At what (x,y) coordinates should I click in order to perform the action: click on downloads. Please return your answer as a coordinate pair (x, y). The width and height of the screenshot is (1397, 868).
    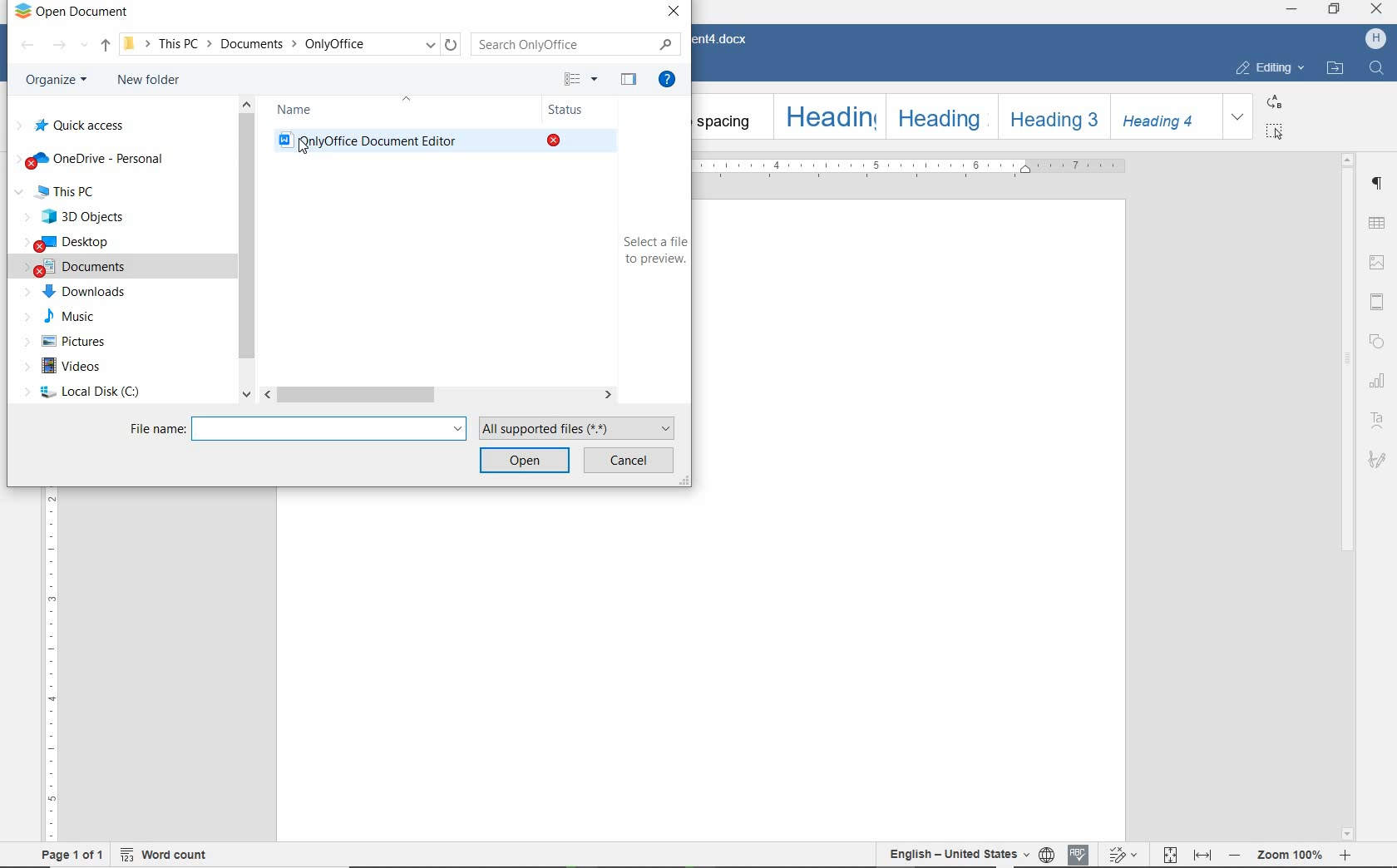
    Looking at the image, I should click on (77, 293).